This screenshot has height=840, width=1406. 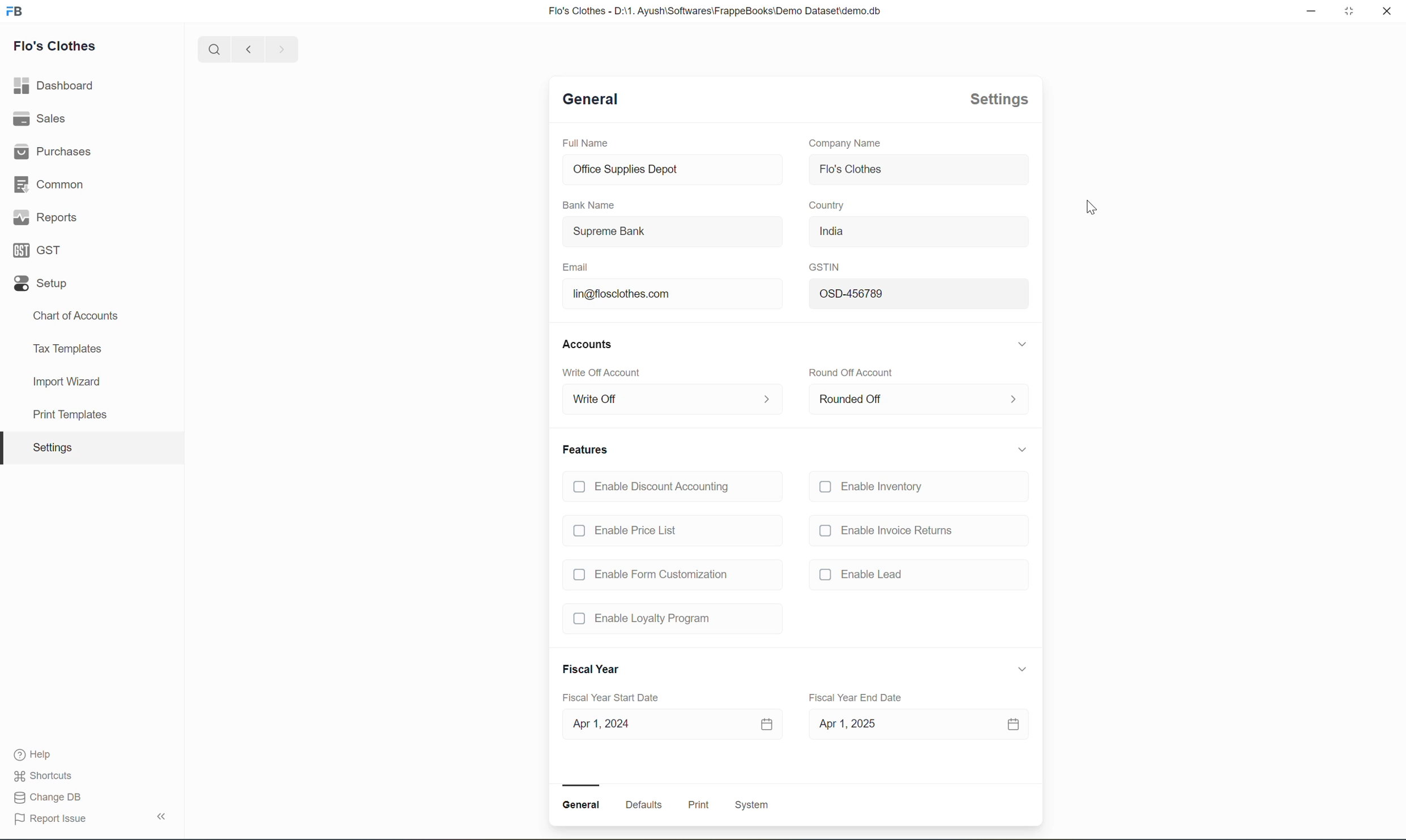 I want to click on Write Off Account, so click(x=601, y=373).